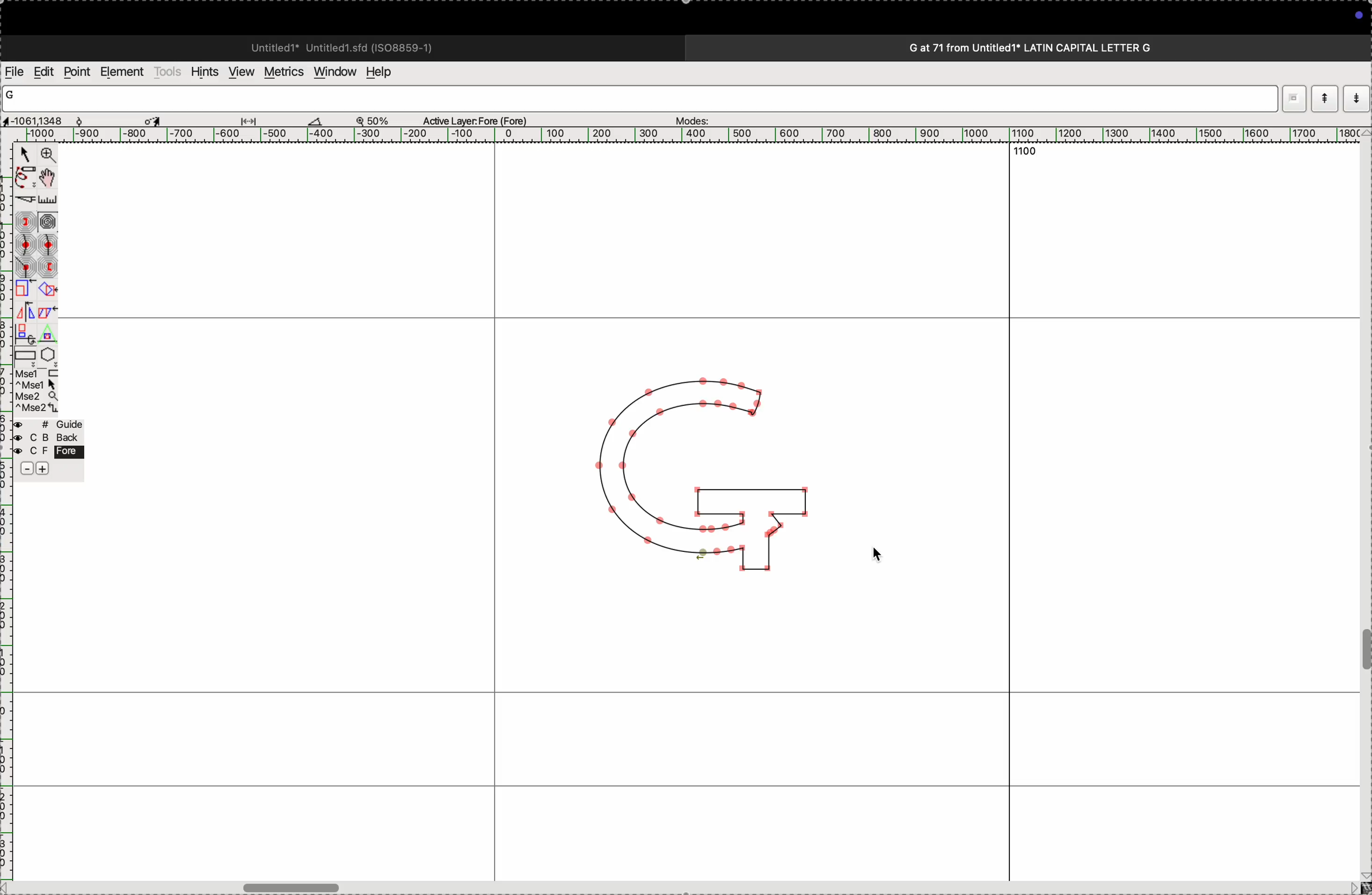 The image size is (1372, 895). What do you see at coordinates (77, 73) in the screenshot?
I see `points` at bounding box center [77, 73].